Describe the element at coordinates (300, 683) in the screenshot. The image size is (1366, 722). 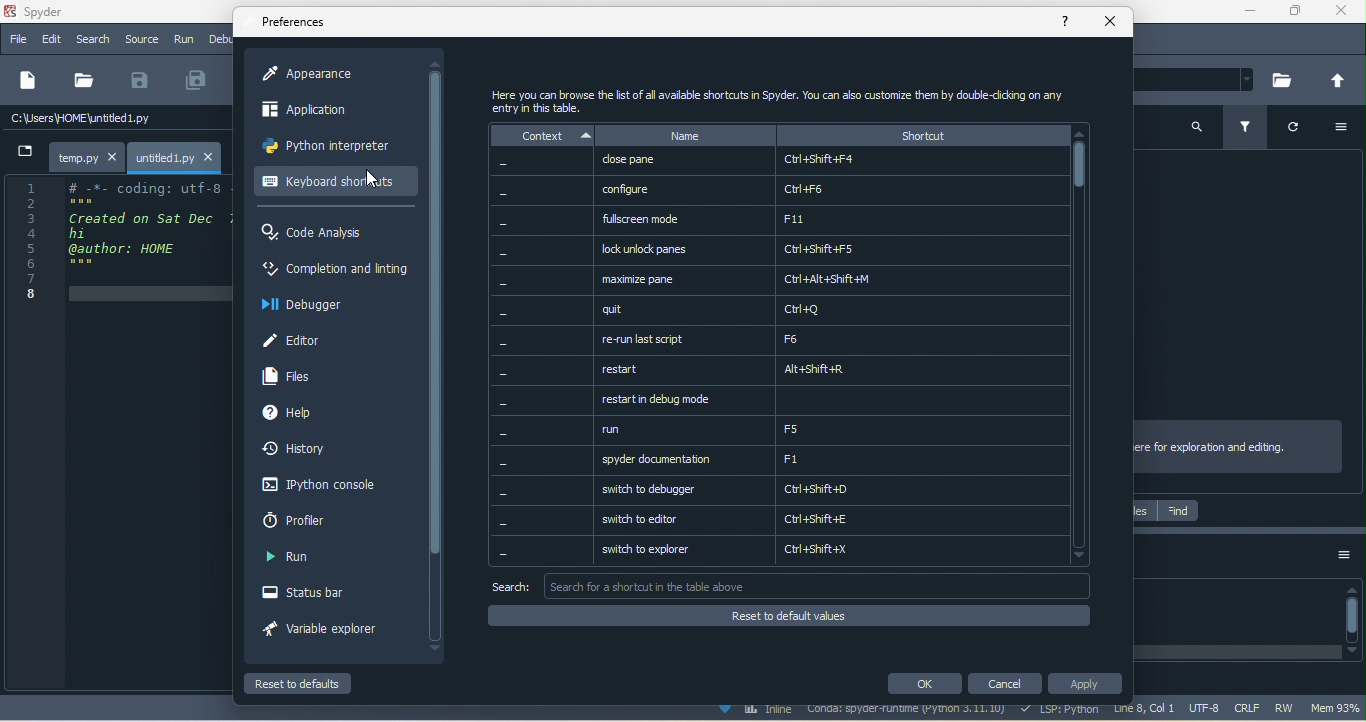
I see `reset to defaults` at that location.